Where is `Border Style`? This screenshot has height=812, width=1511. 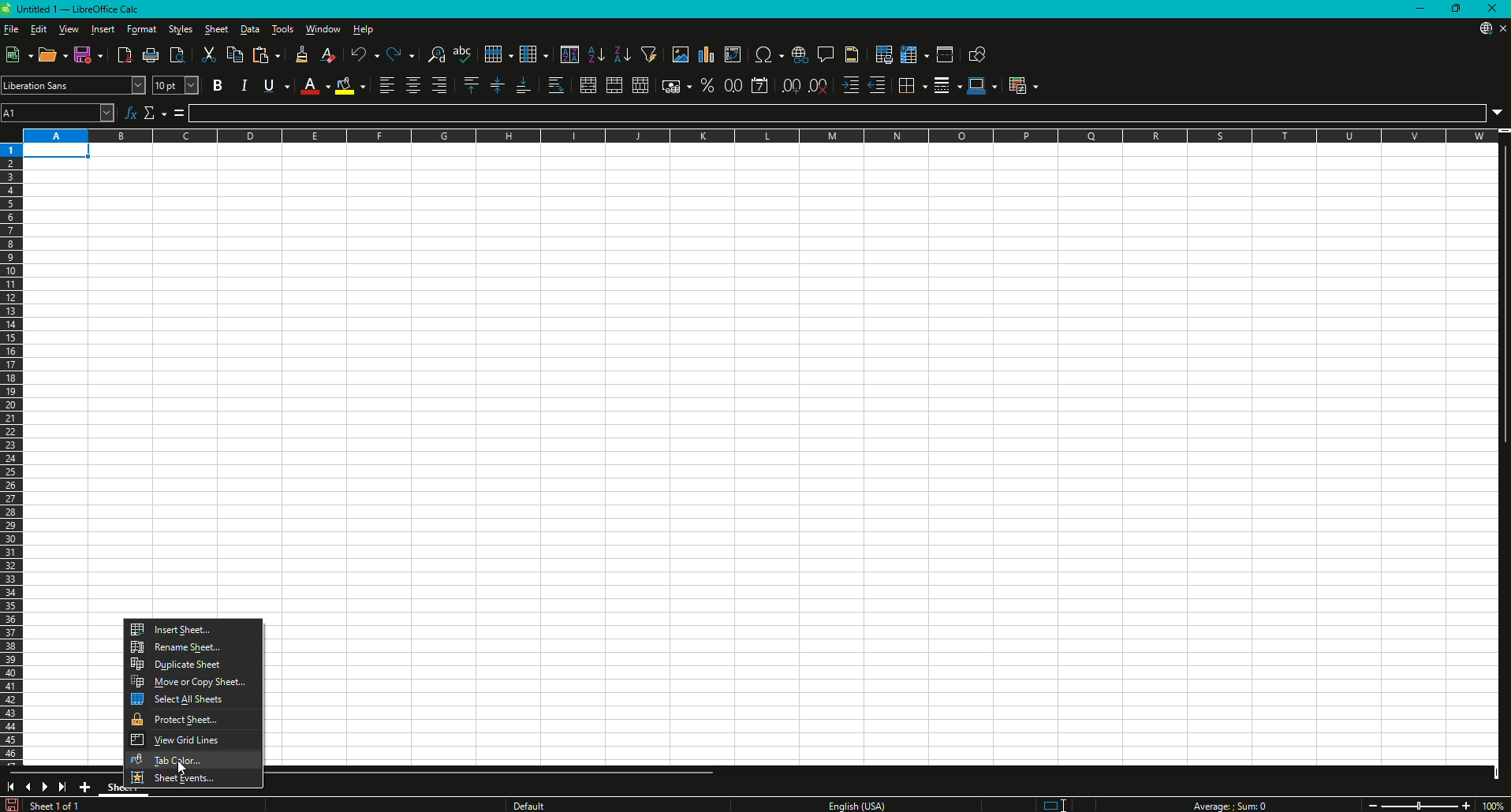 Border Style is located at coordinates (947, 86).